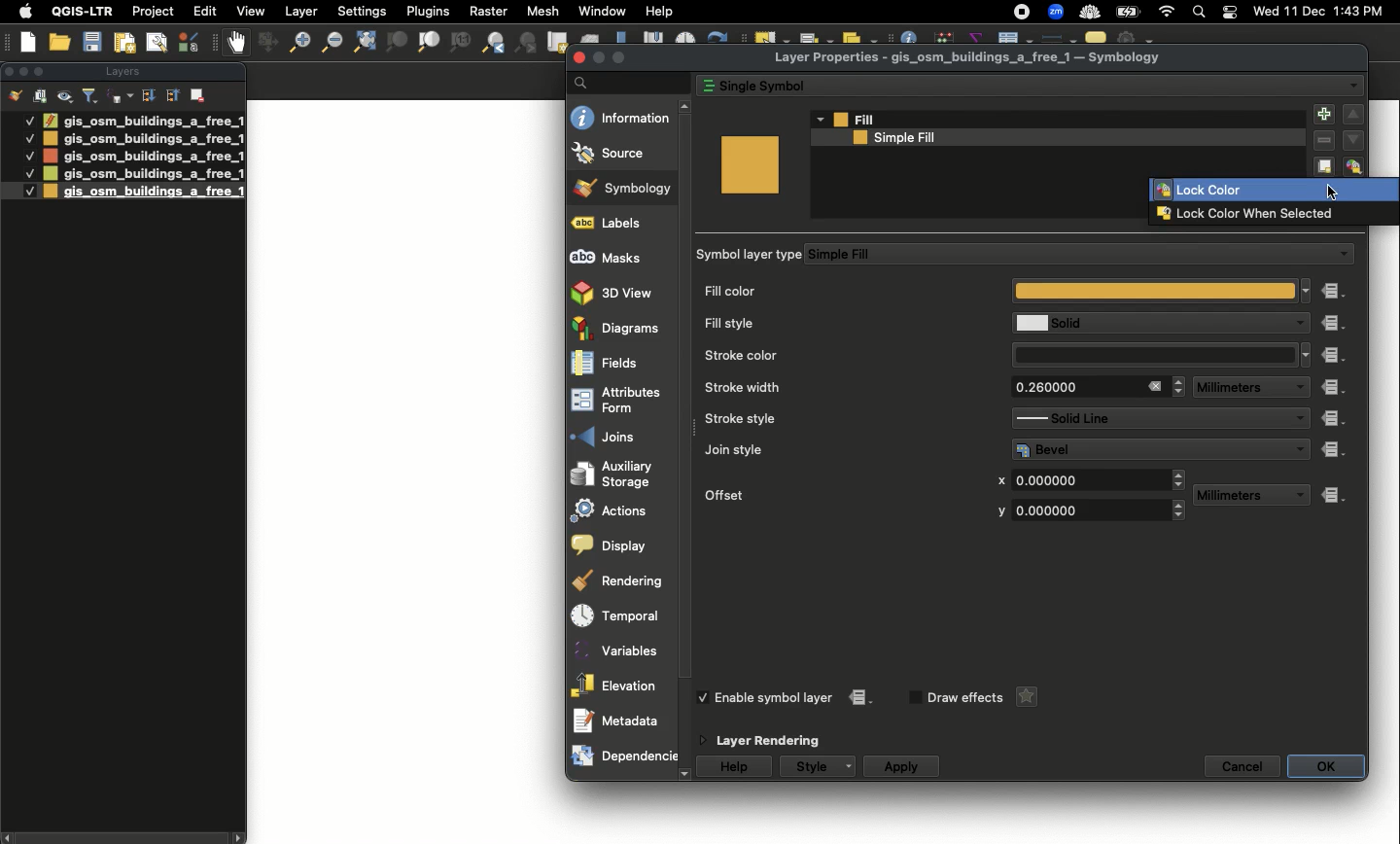 This screenshot has height=844, width=1400. Describe the element at coordinates (29, 156) in the screenshot. I see `Checked` at that location.